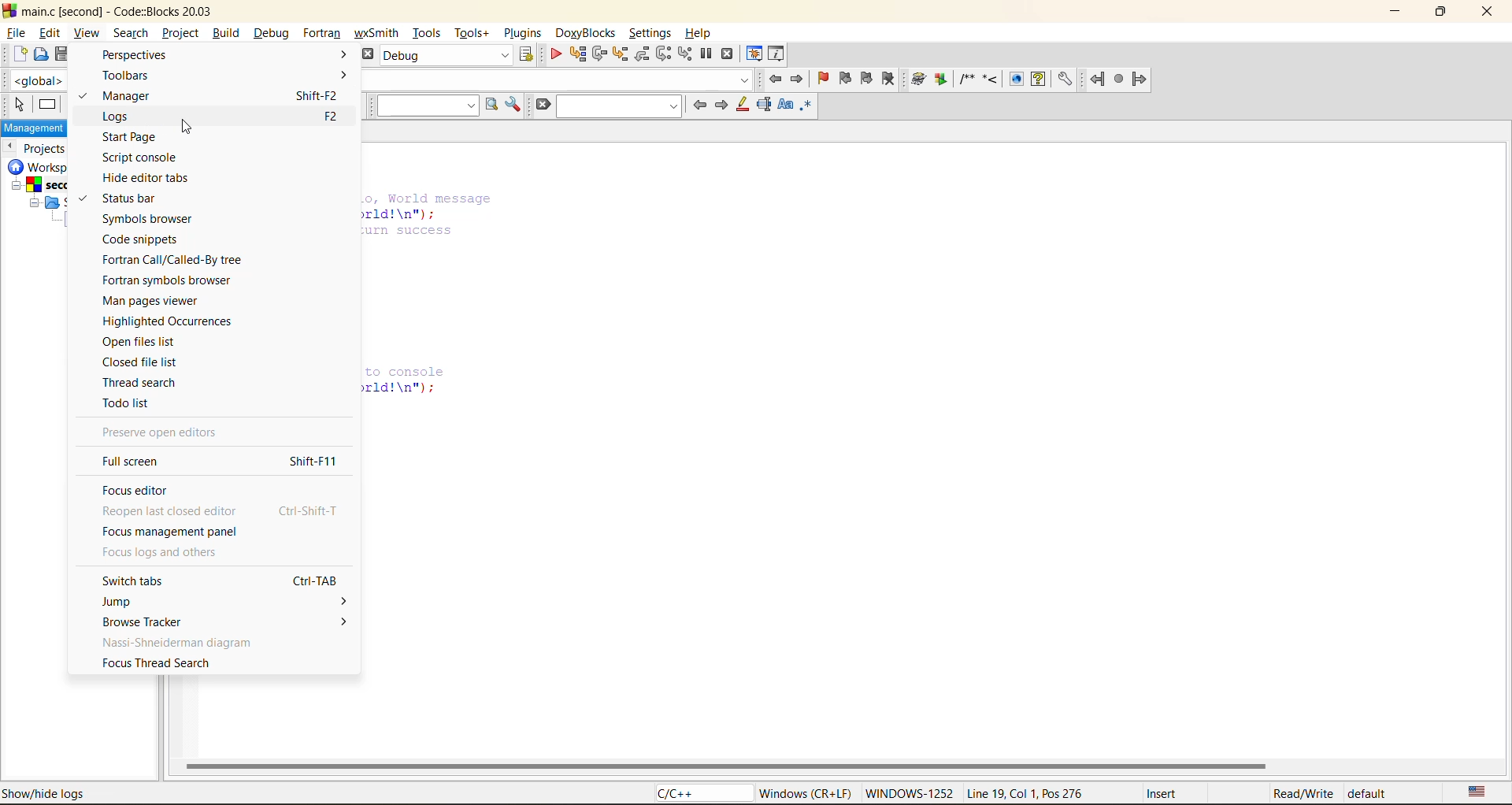 Image resolution: width=1512 pixels, height=805 pixels. Describe the element at coordinates (798, 78) in the screenshot. I see `jump forward` at that location.